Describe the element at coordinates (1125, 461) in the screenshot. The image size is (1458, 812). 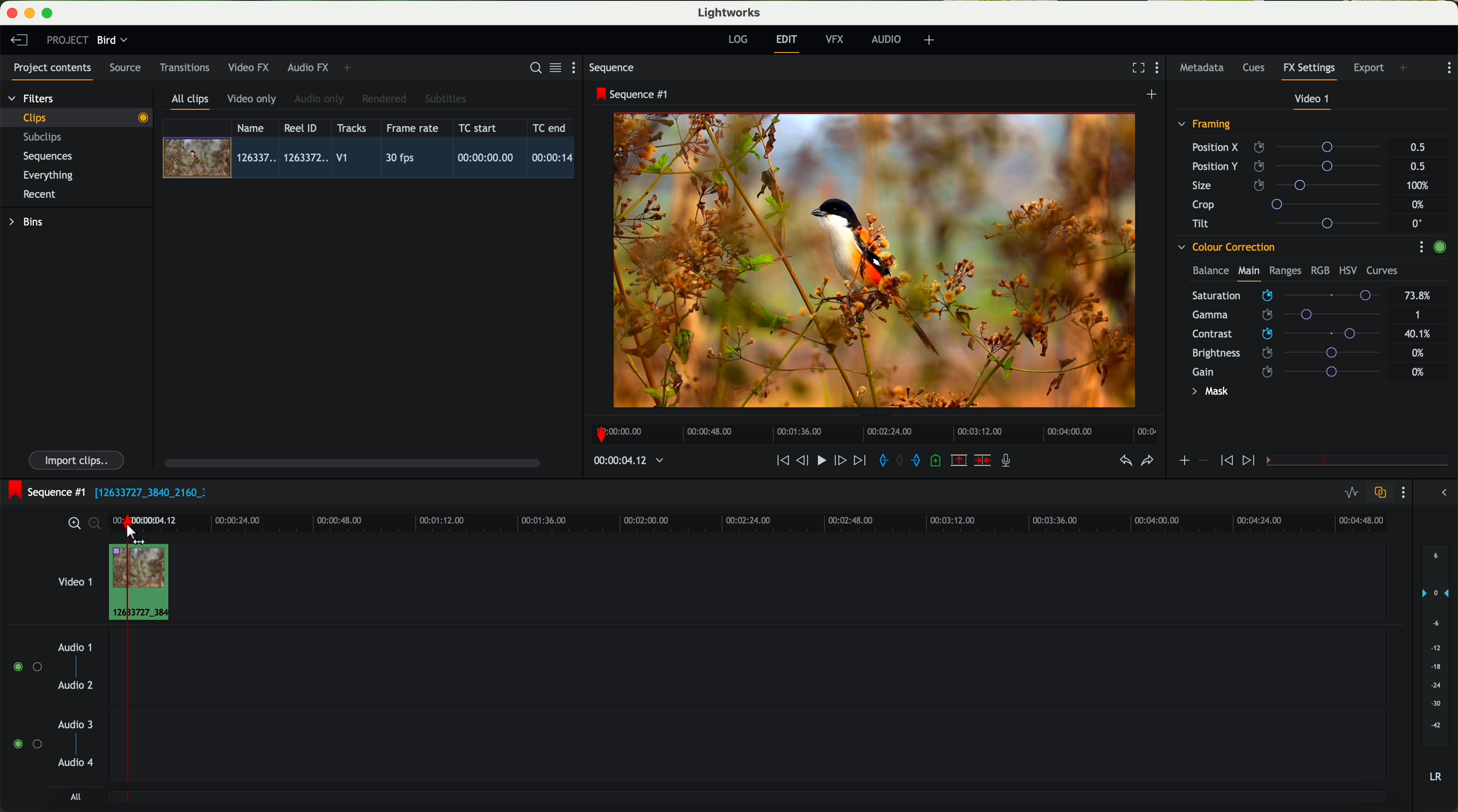
I see `undo` at that location.